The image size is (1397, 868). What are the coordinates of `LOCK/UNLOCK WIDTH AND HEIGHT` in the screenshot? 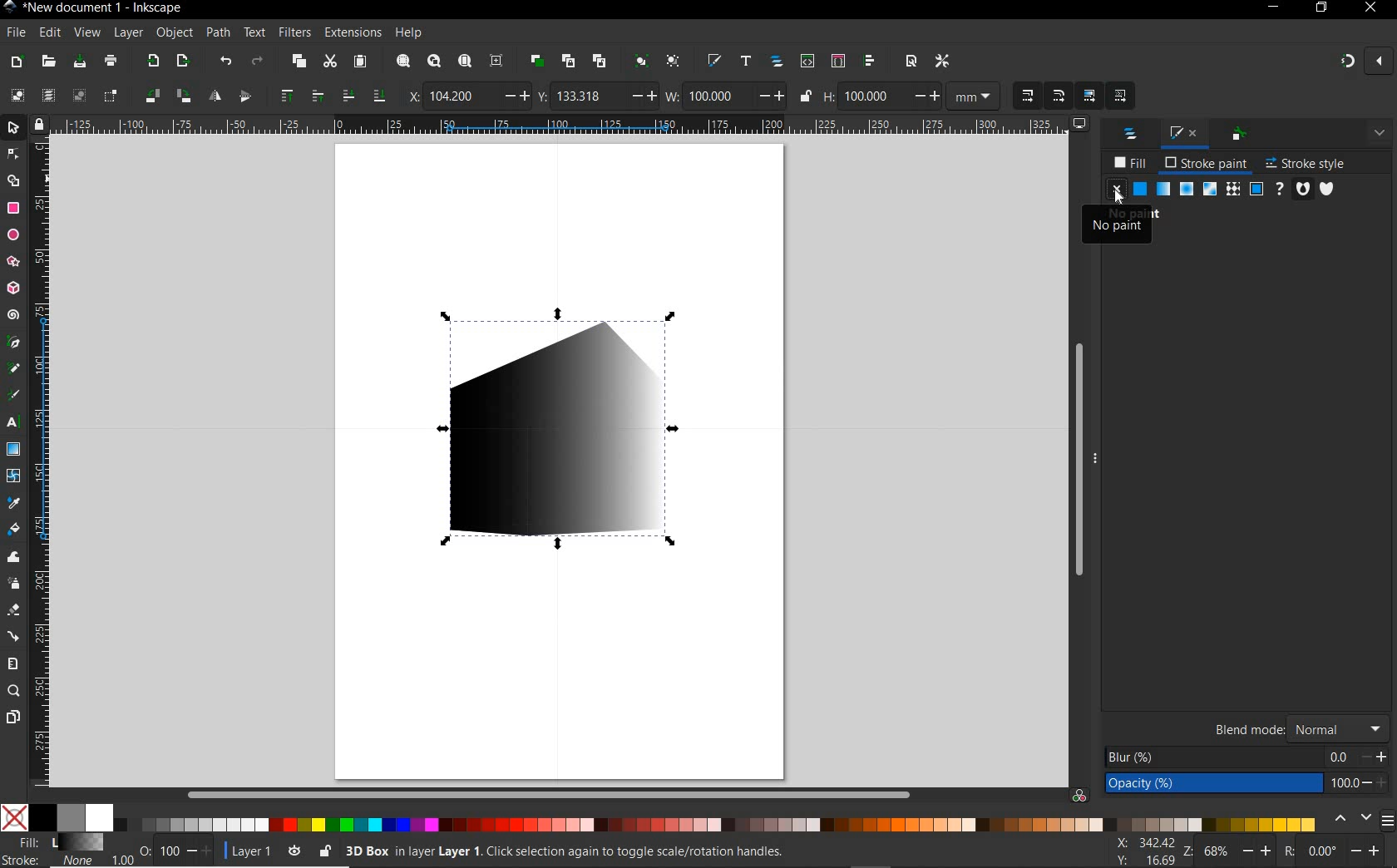 It's located at (805, 96).